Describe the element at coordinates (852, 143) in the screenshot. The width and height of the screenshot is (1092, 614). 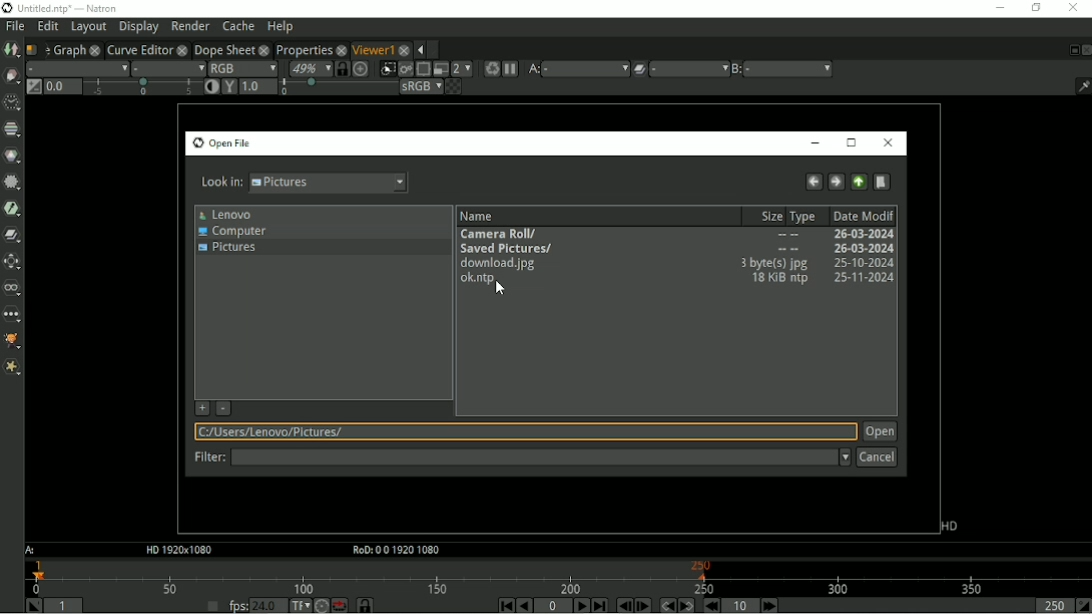
I see `Maximize` at that location.